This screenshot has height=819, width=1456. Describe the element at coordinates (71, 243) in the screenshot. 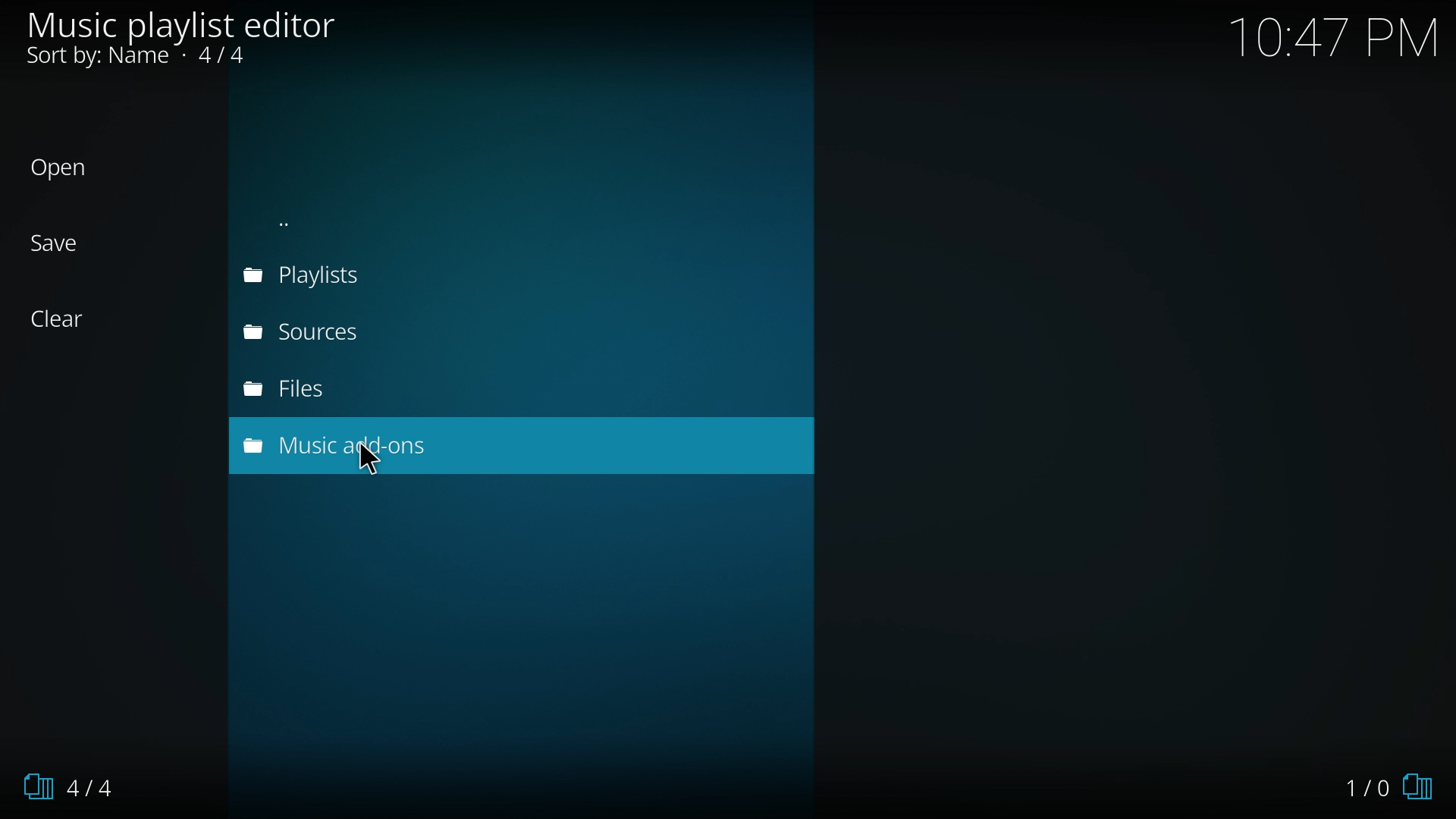

I see `Save` at that location.